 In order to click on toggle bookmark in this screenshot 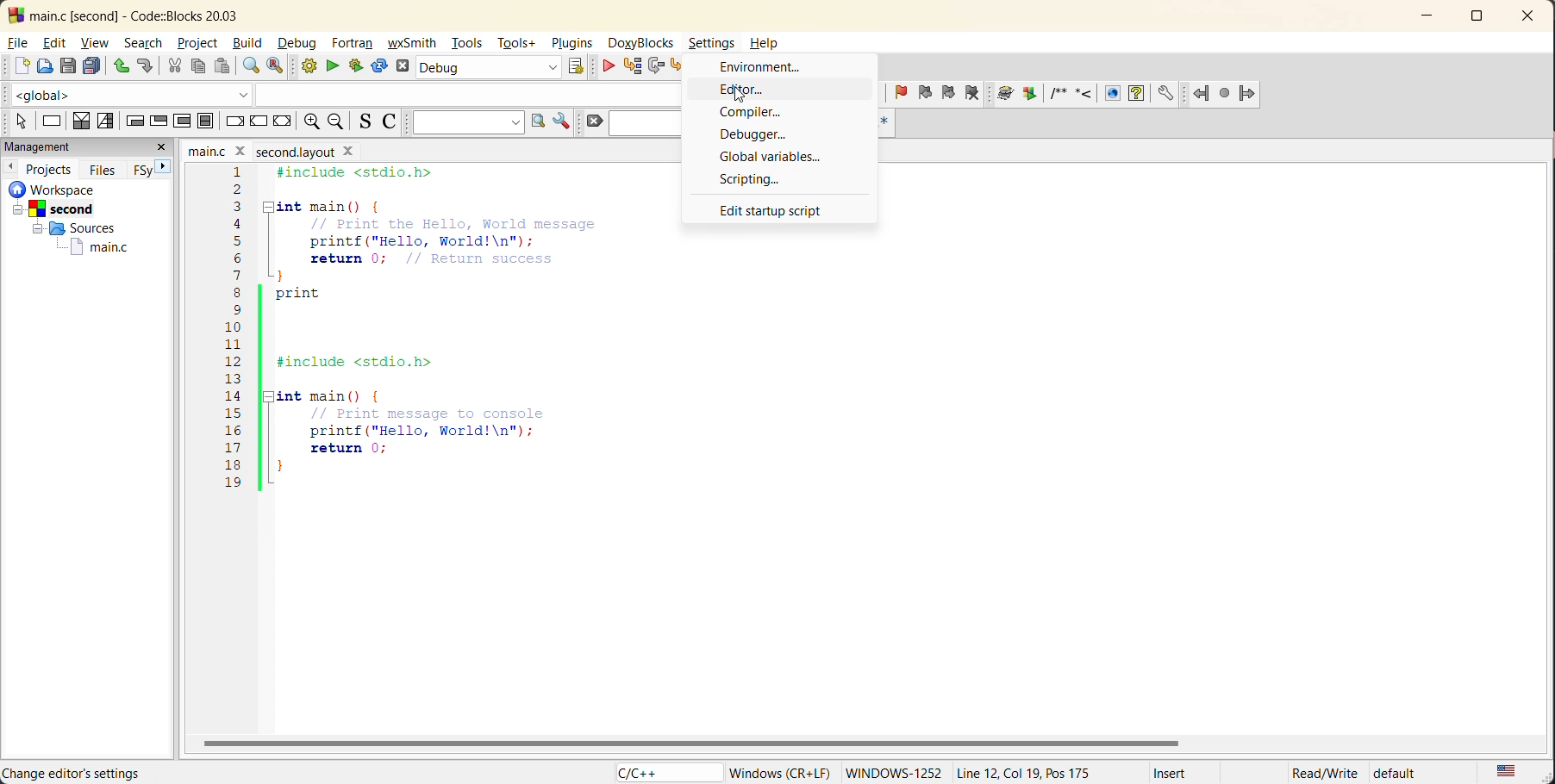, I will do `click(897, 92)`.